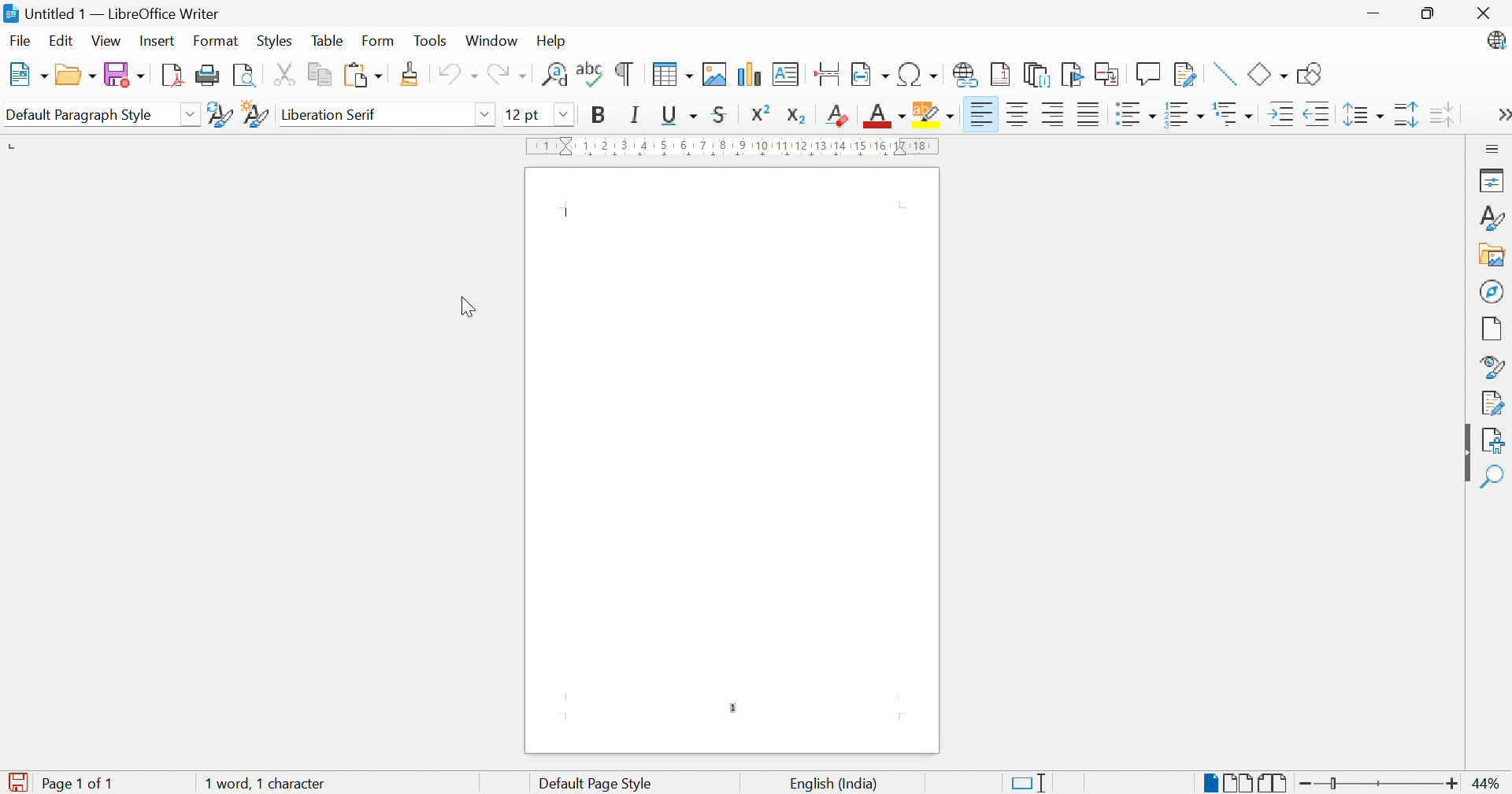  Describe the element at coordinates (165, 42) in the screenshot. I see `pointer cursor` at that location.